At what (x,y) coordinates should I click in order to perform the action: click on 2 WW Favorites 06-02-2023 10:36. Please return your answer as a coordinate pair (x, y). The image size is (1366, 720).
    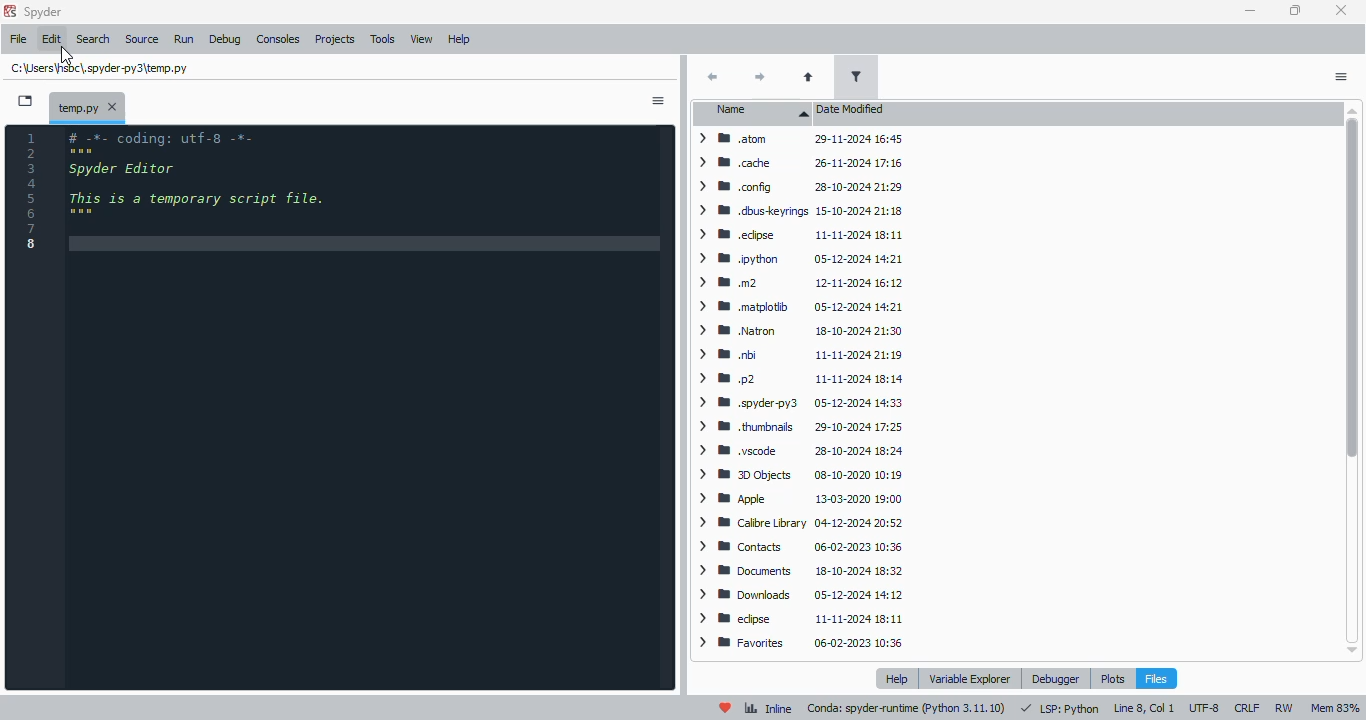
    Looking at the image, I should click on (804, 646).